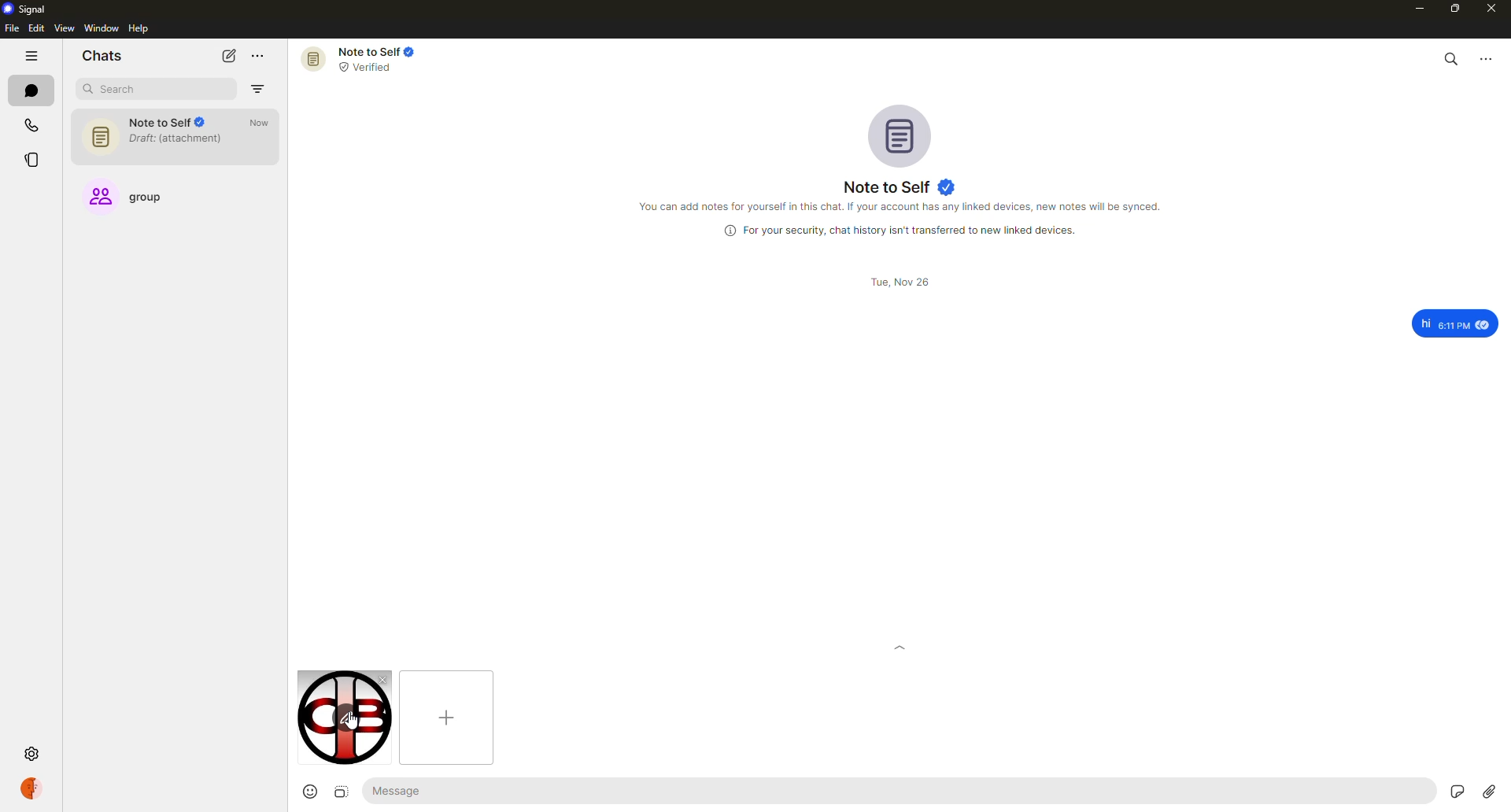 This screenshot has width=1511, height=812. I want to click on profile pic, so click(900, 134).